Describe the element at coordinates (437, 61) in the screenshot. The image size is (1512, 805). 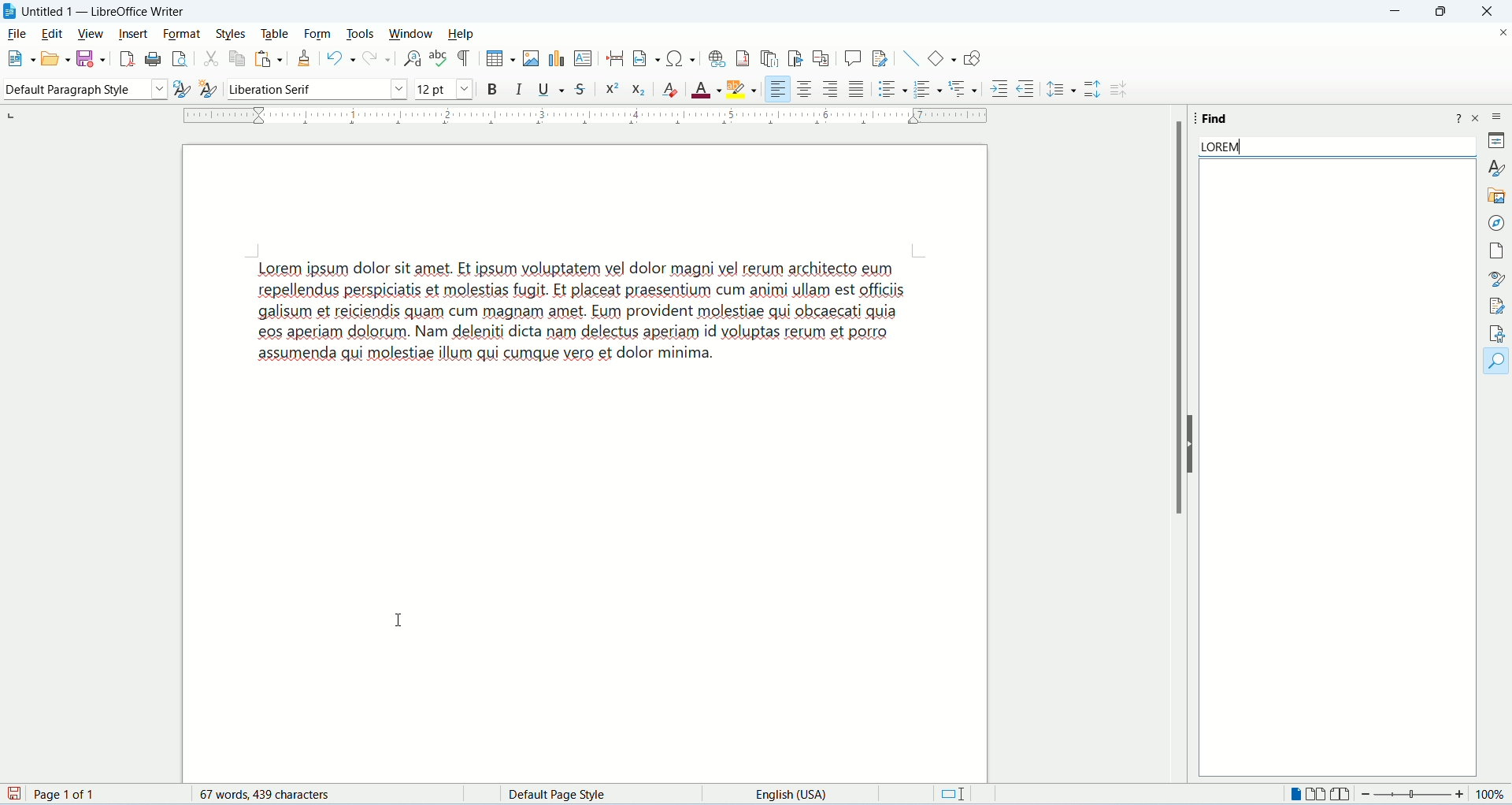
I see `spelling` at that location.